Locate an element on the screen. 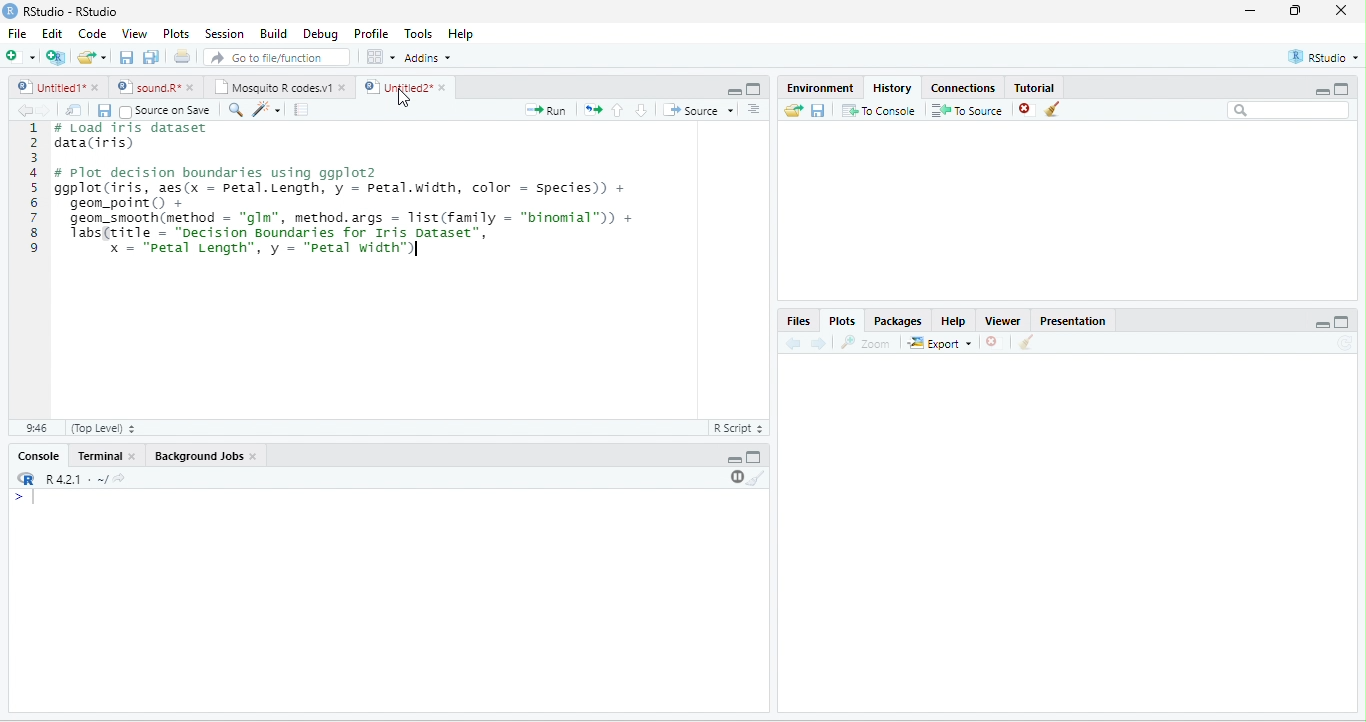  logo is located at coordinates (9, 11).